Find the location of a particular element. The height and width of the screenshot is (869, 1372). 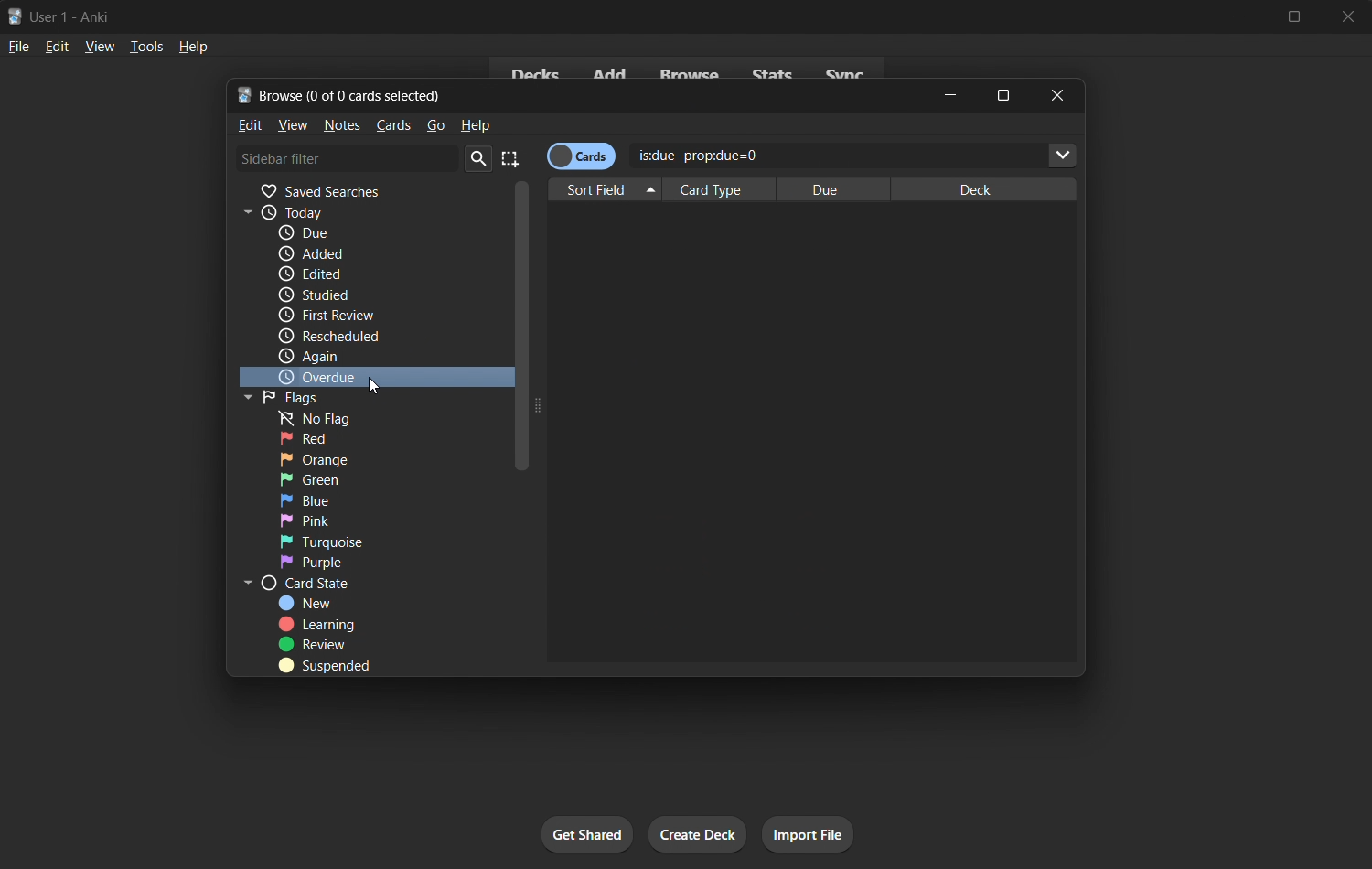

turquoise  is located at coordinates (331, 542).